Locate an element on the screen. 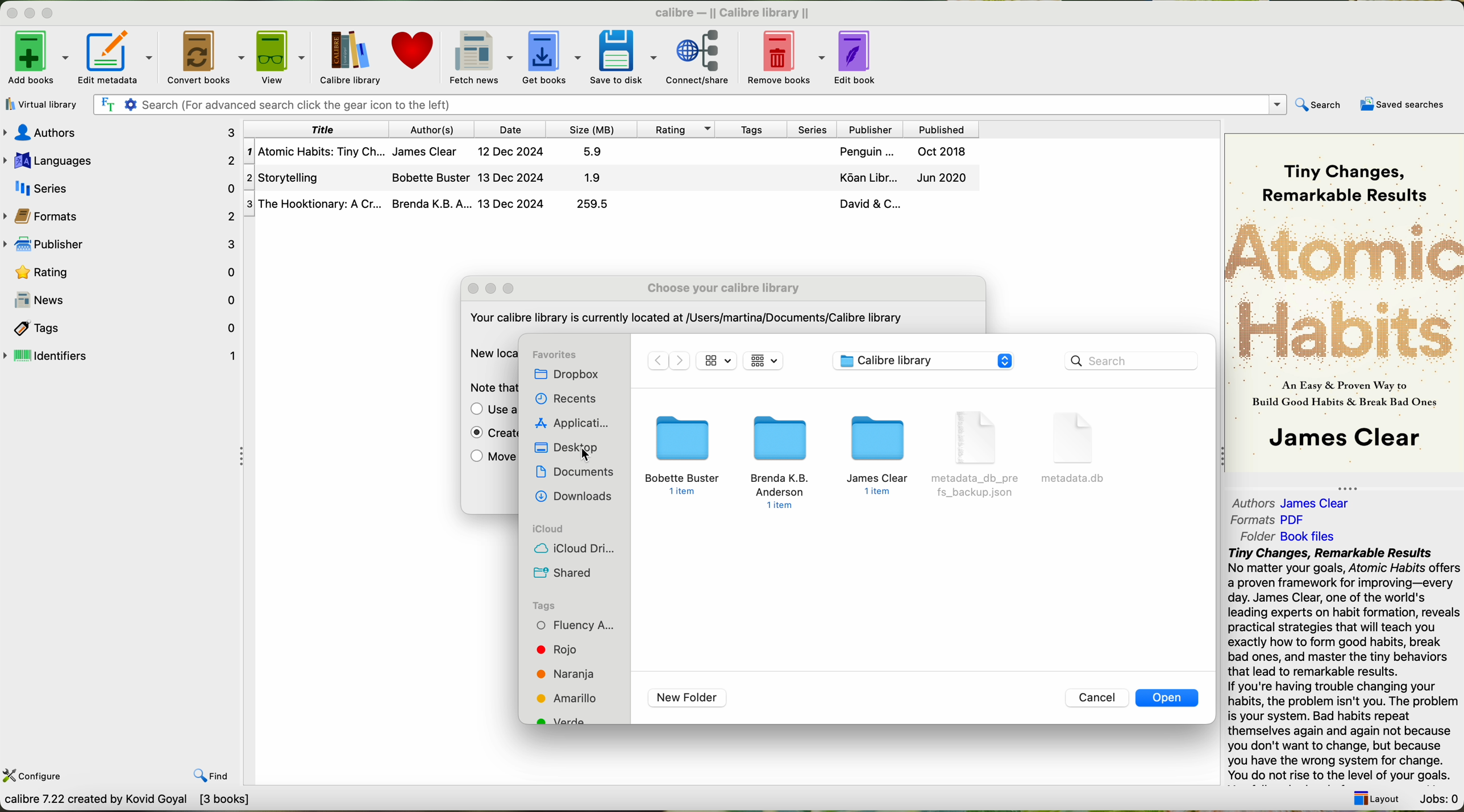 This screenshot has height=812, width=1464. folder is located at coordinates (880, 457).